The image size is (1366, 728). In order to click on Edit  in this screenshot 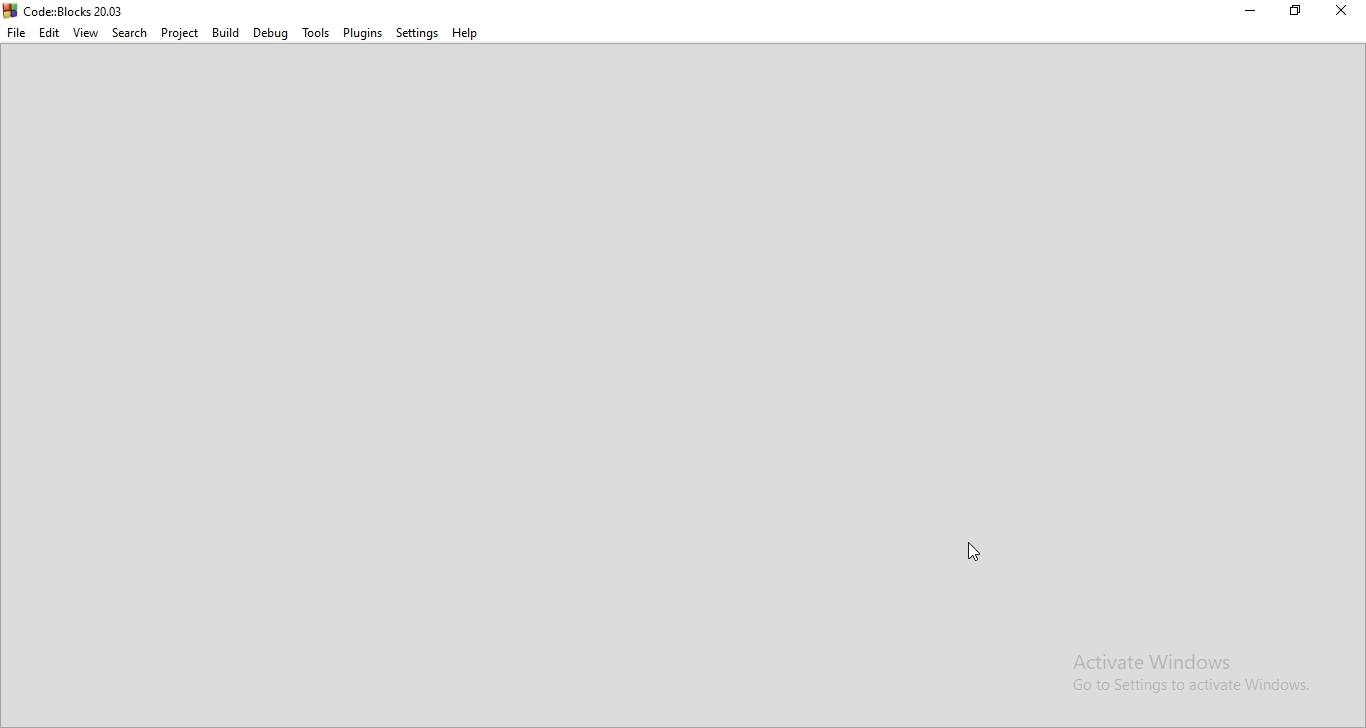, I will do `click(50, 33)`.